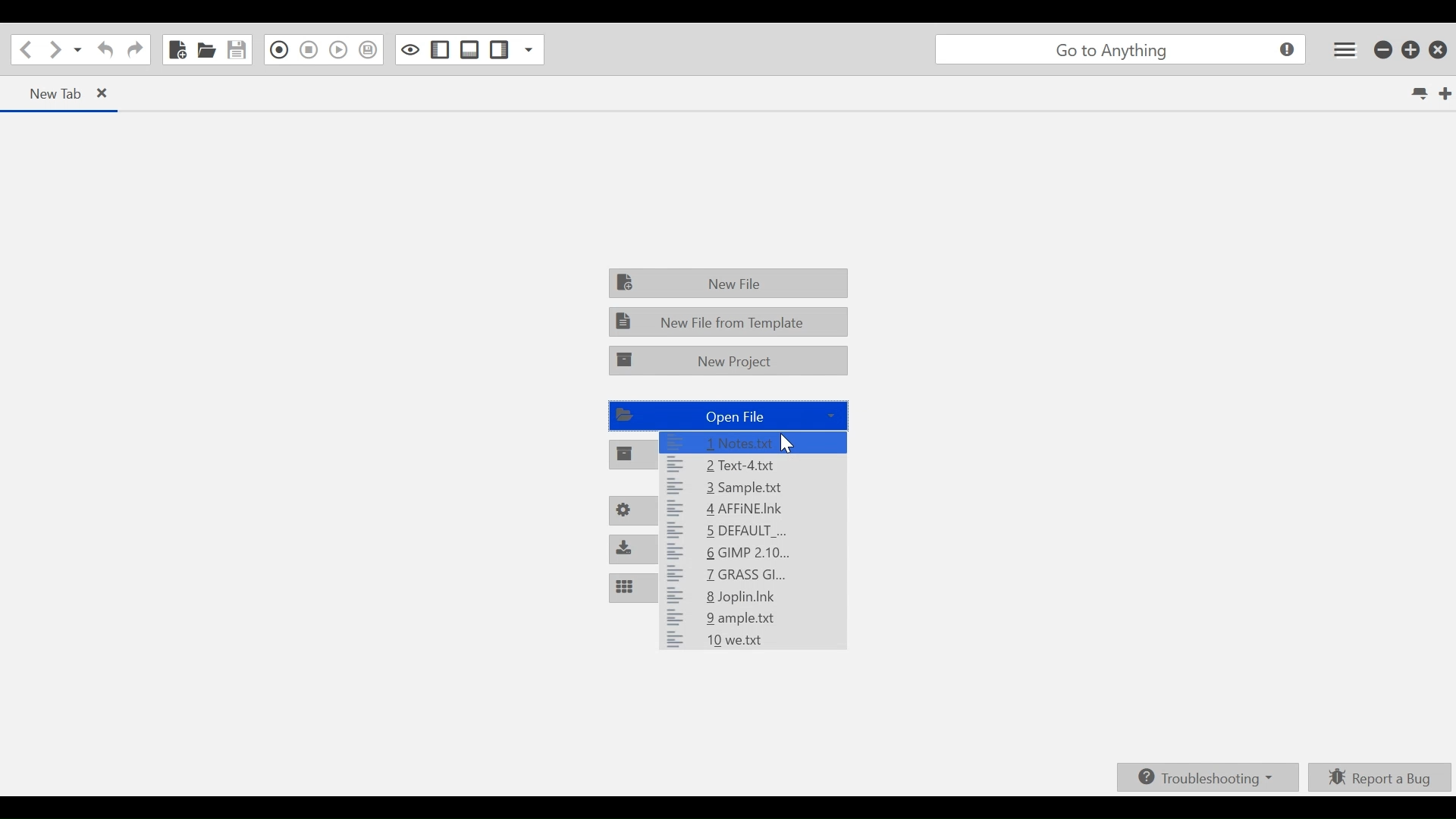 Image resolution: width=1456 pixels, height=819 pixels. I want to click on Open, so click(207, 50).